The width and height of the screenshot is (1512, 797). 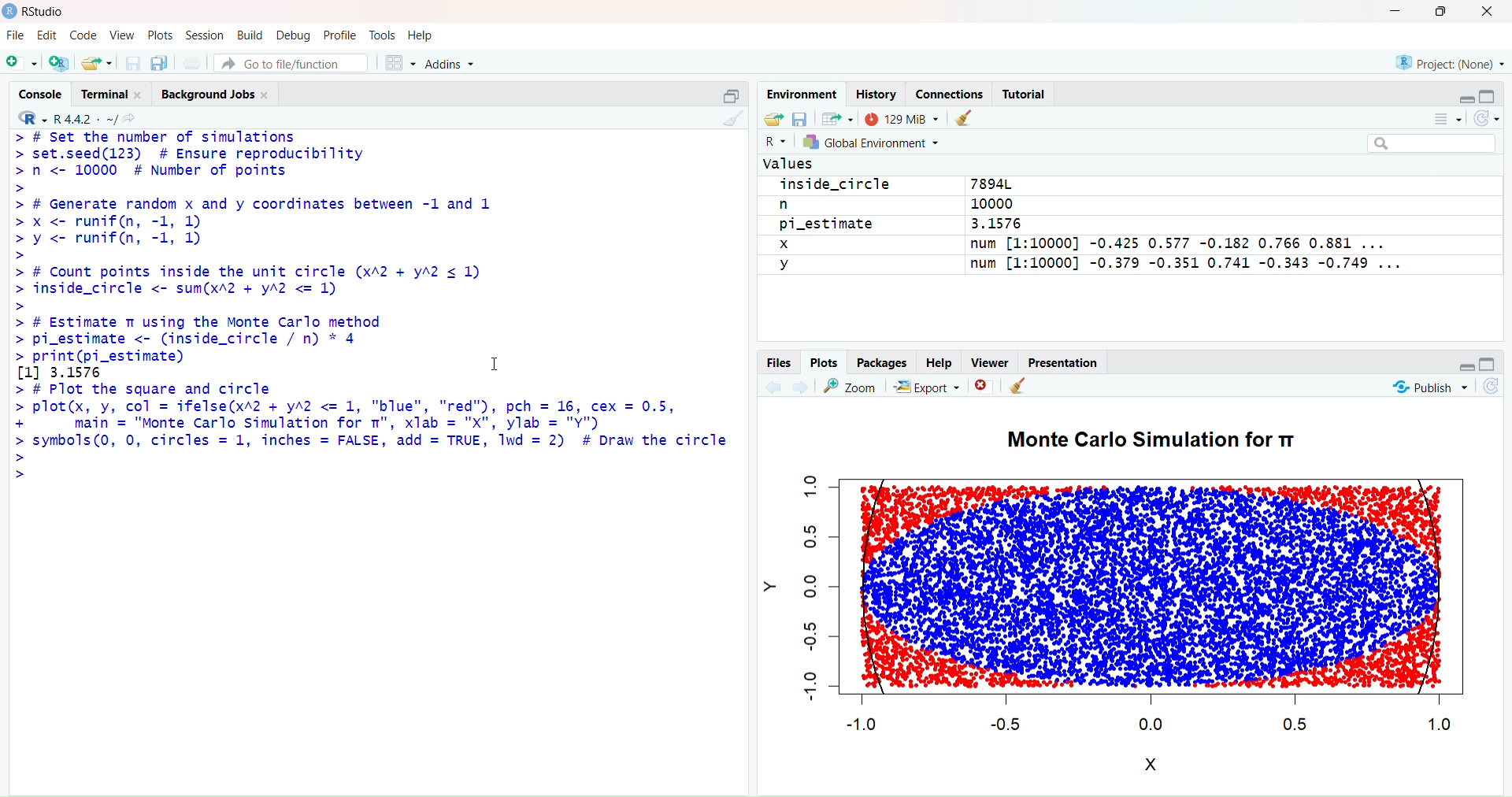 I want to click on Import data, so click(x=839, y=118).